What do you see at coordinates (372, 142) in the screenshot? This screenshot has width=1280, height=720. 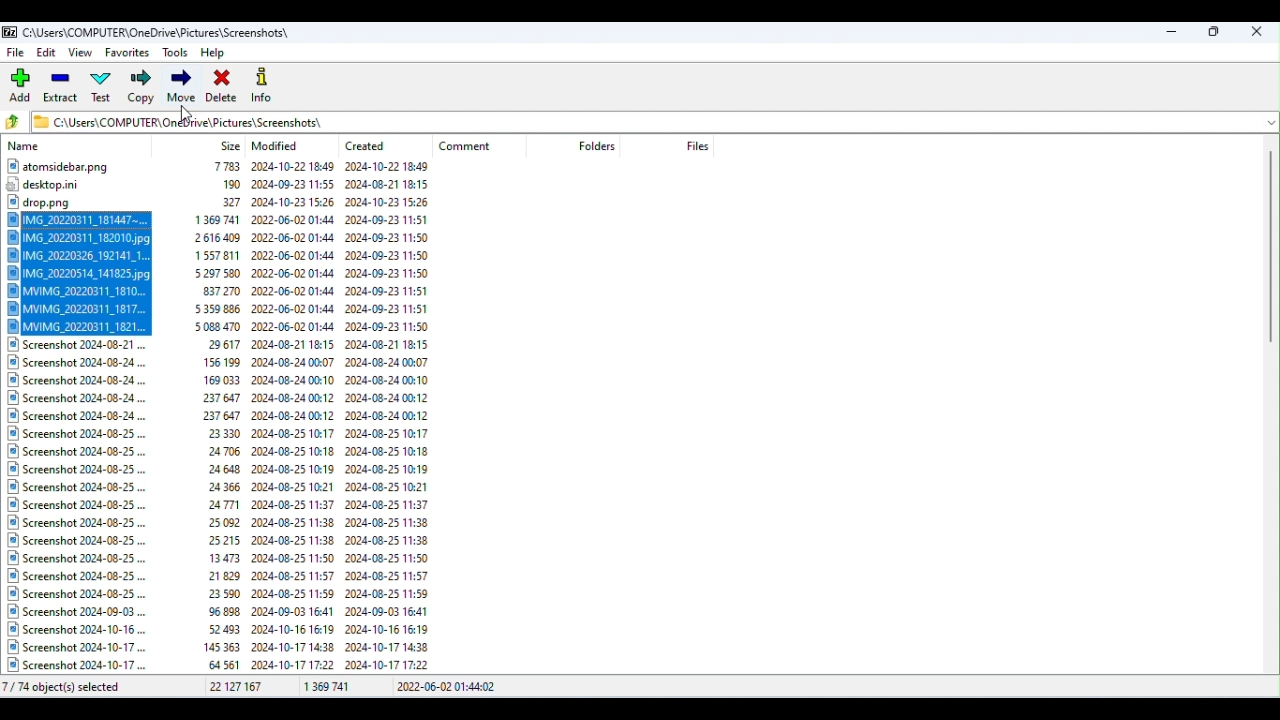 I see `Created` at bounding box center [372, 142].